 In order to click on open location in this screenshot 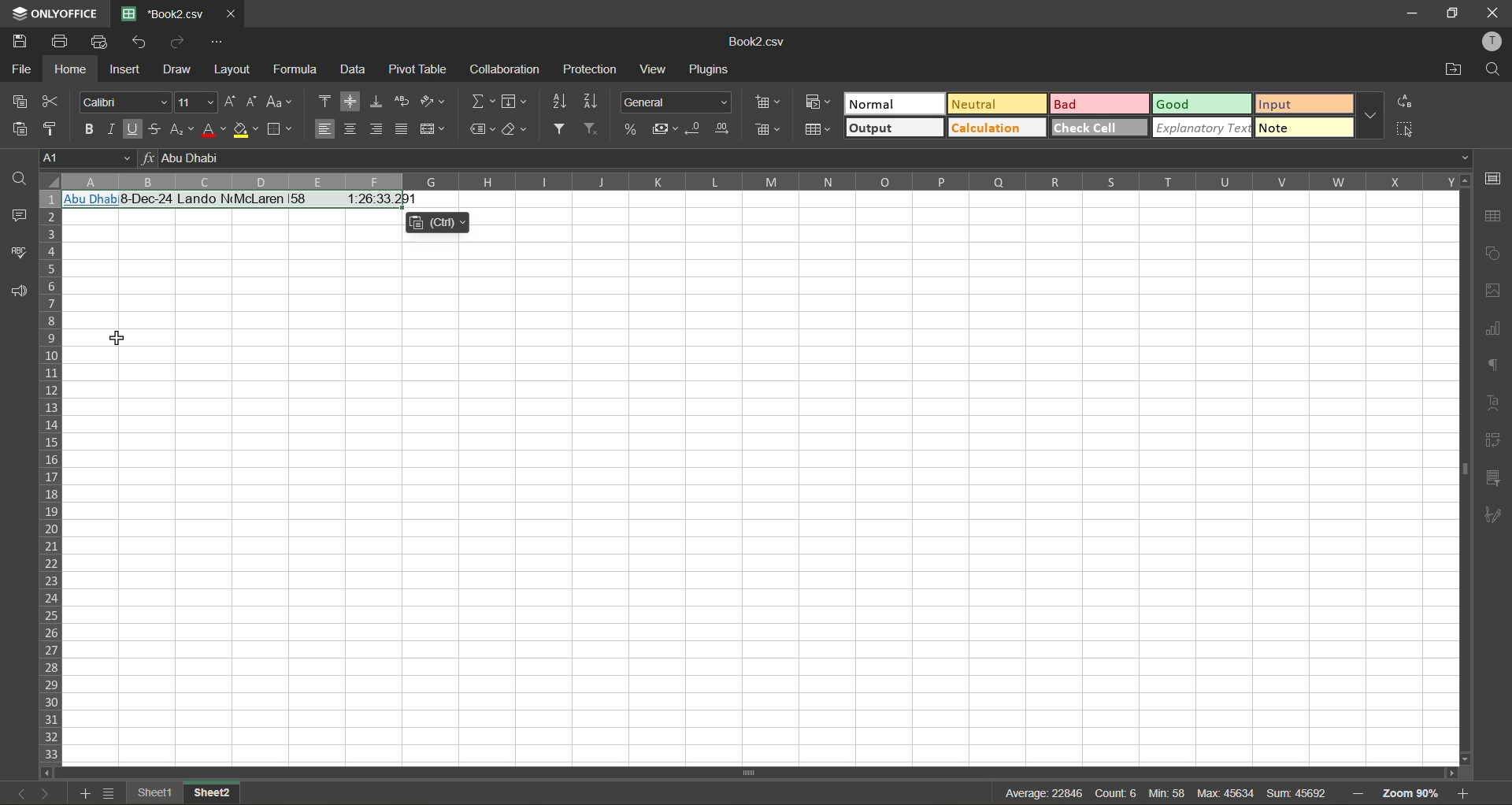, I will do `click(1451, 70)`.